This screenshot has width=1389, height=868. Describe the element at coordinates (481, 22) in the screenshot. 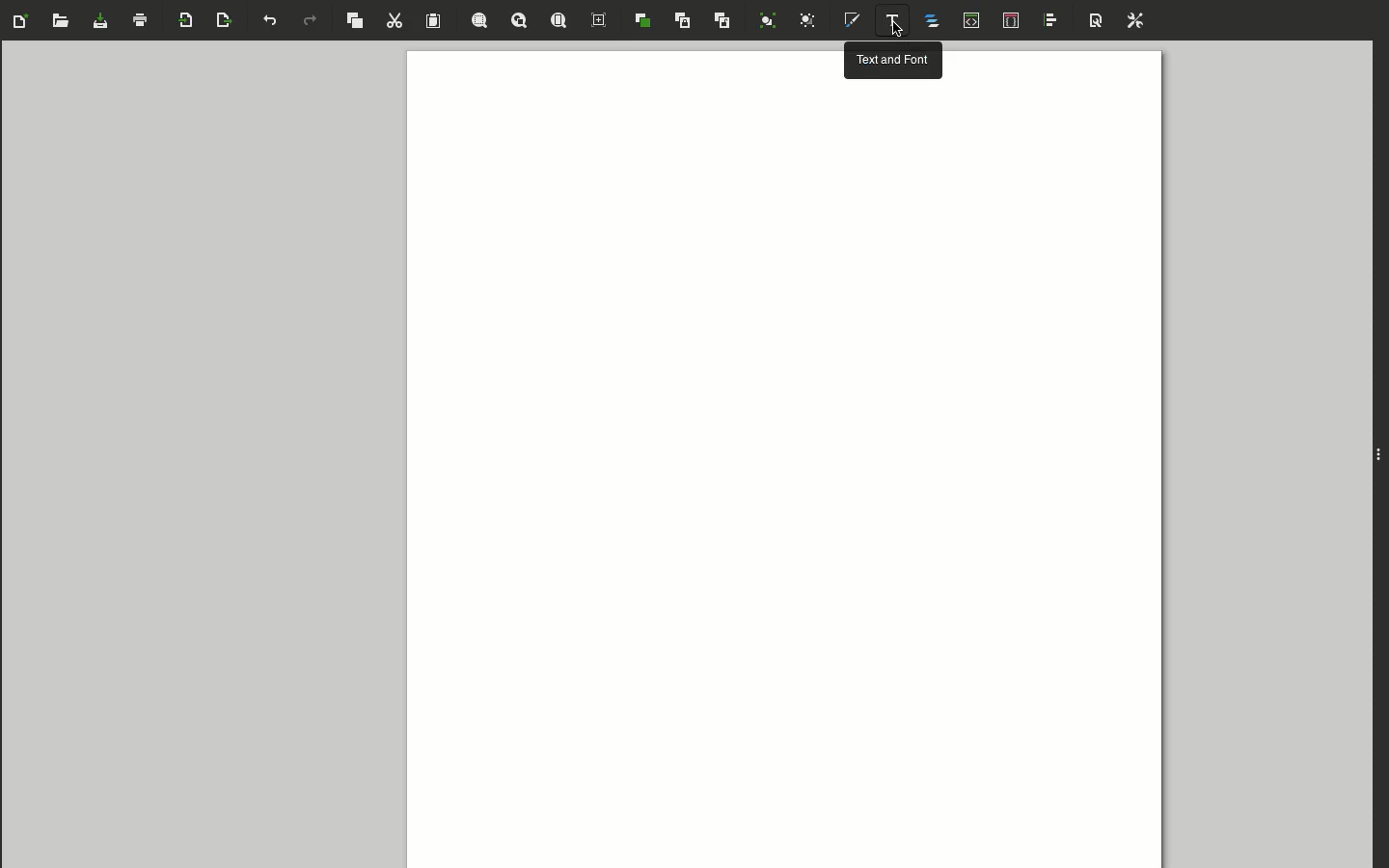

I see `Zoom selection` at that location.